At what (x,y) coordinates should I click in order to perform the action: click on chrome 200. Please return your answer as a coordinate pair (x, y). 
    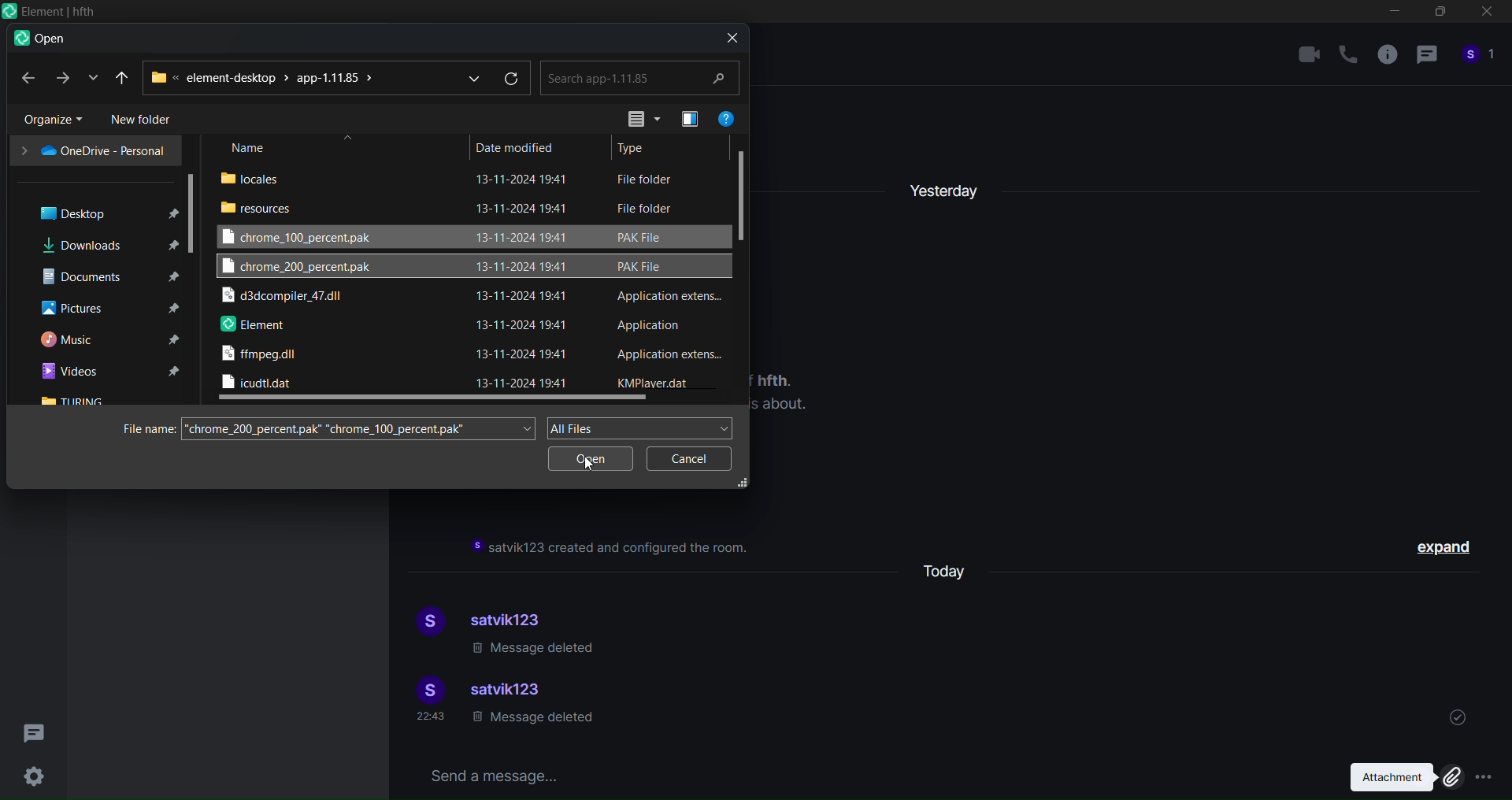
    Looking at the image, I should click on (298, 269).